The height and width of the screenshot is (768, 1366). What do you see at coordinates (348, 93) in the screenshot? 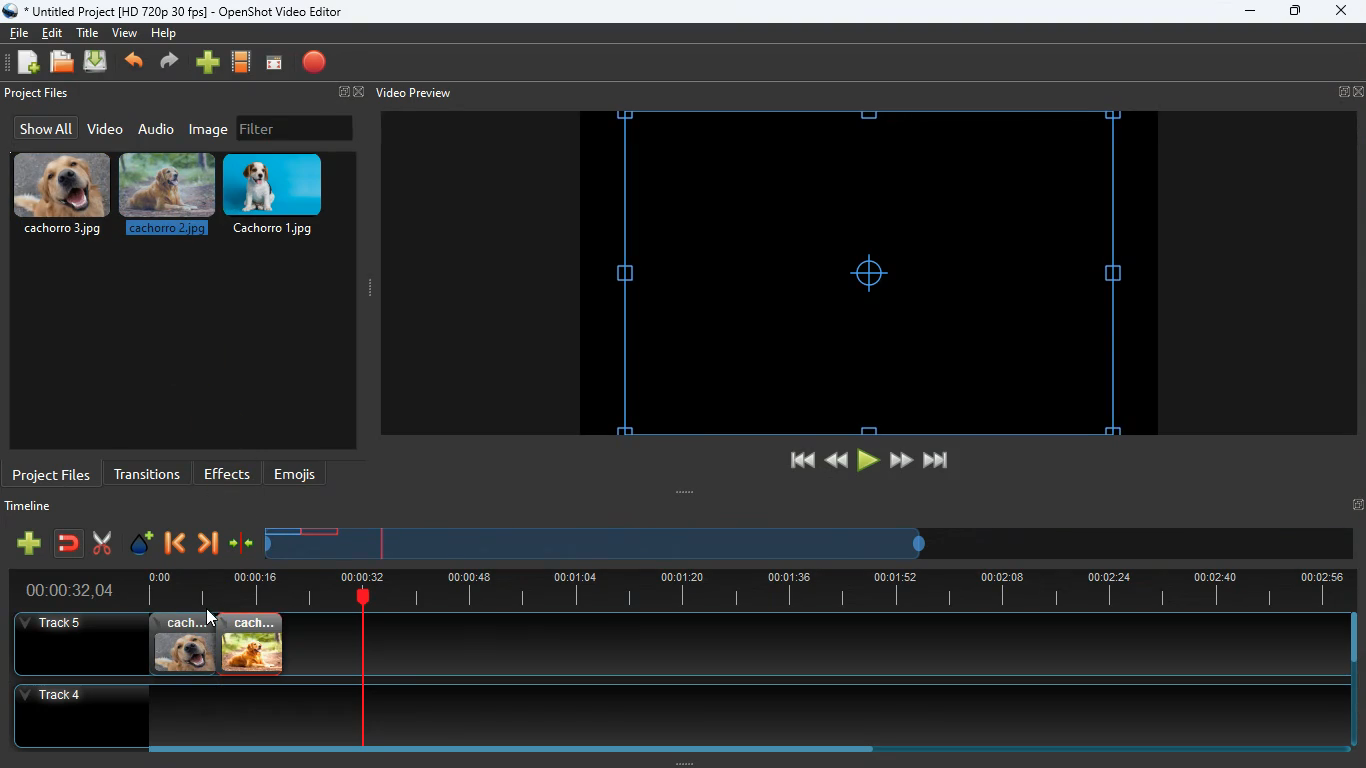
I see `fullscreen` at bounding box center [348, 93].